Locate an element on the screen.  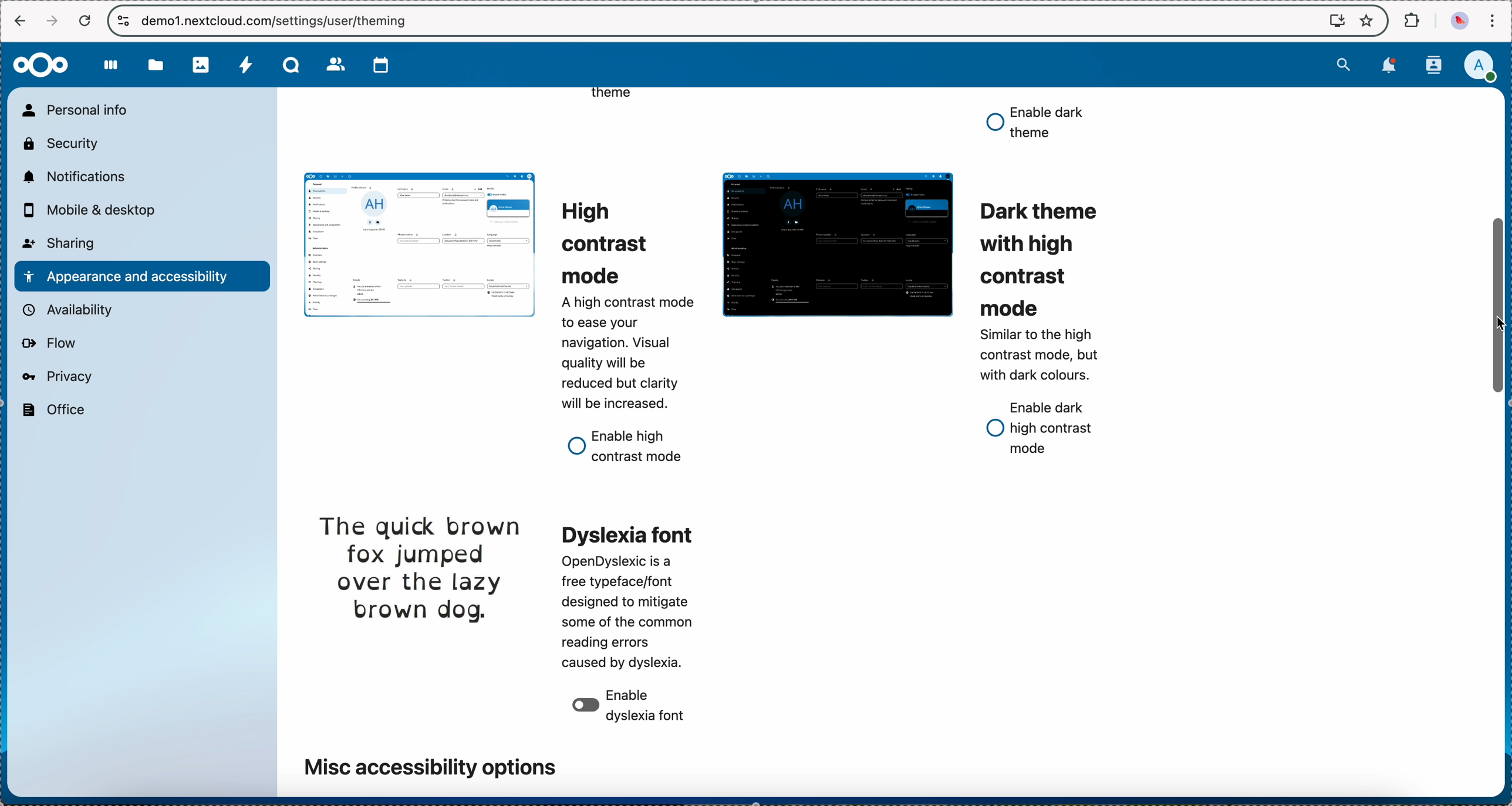
enable dark high contrast mode is located at coordinates (1041, 430).